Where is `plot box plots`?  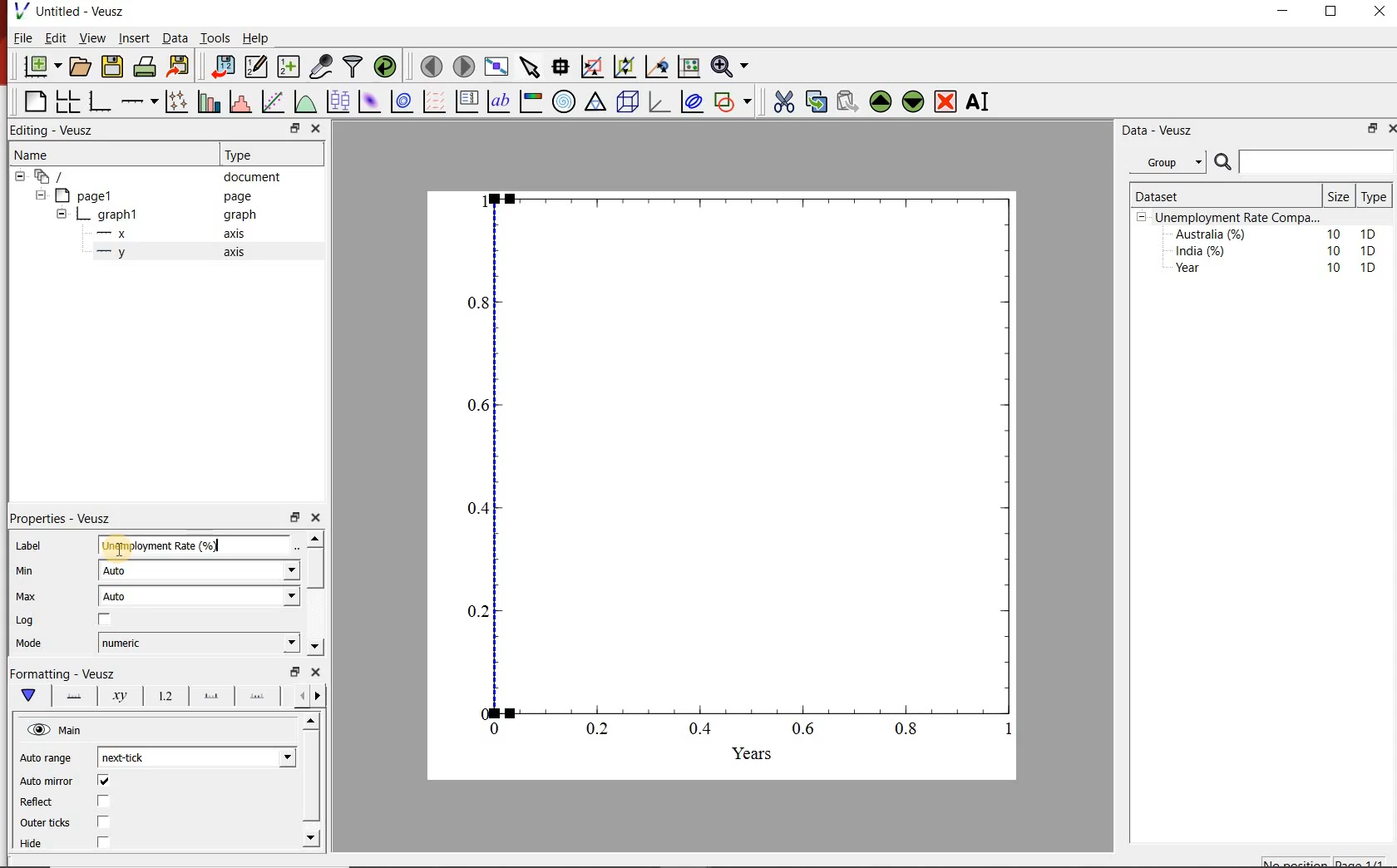 plot box plots is located at coordinates (338, 101).